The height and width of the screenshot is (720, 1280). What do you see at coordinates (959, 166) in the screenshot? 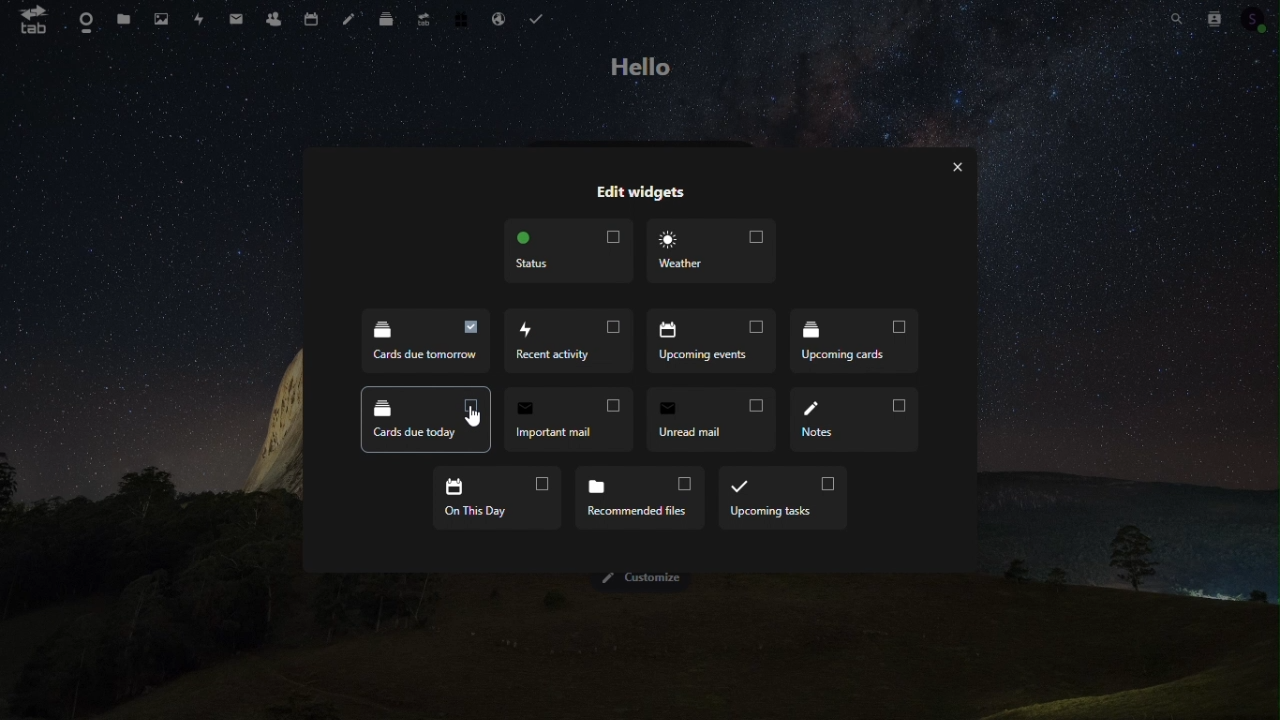
I see `Close` at bounding box center [959, 166].